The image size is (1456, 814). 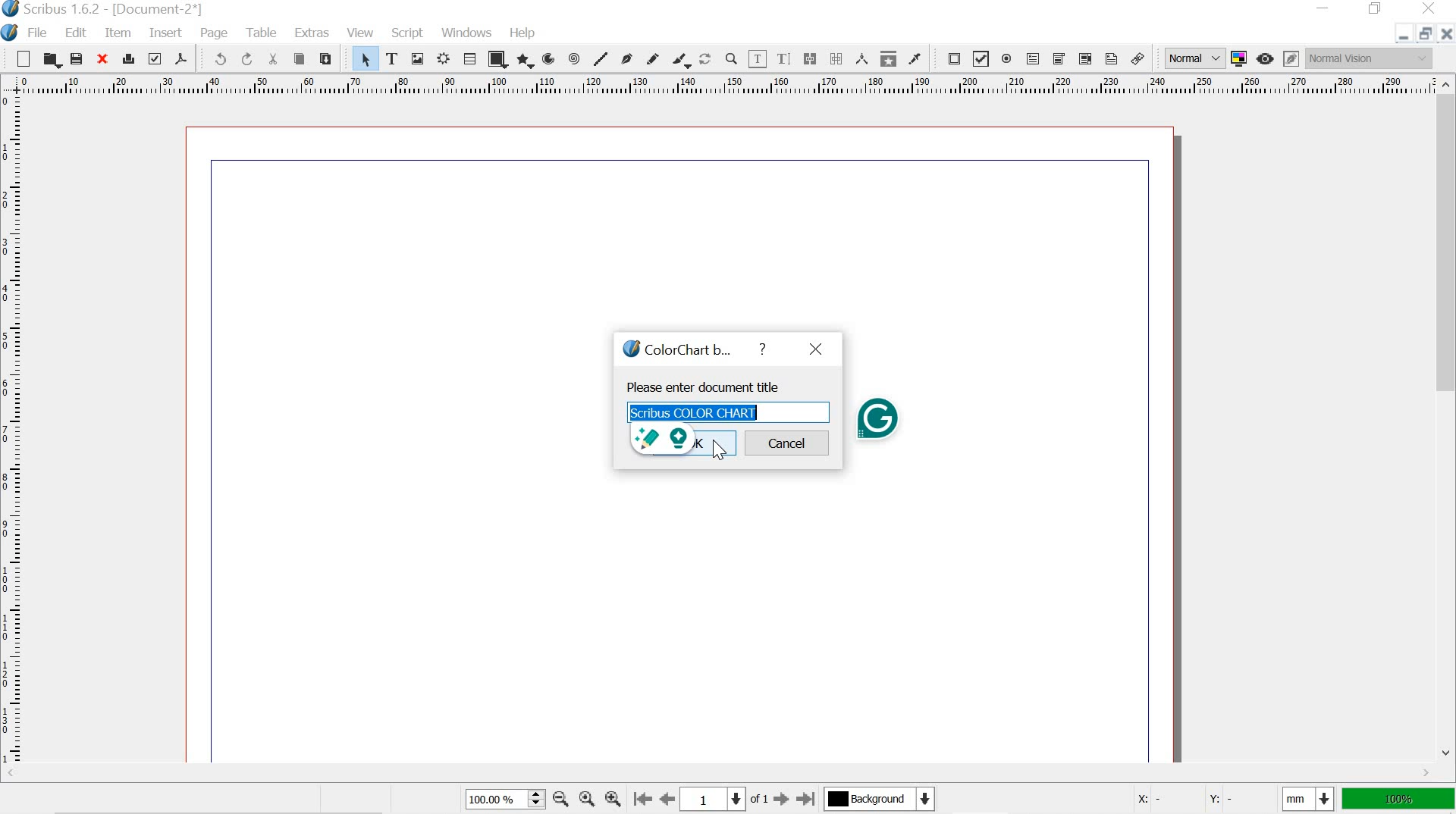 What do you see at coordinates (502, 798) in the screenshot?
I see `100%` at bounding box center [502, 798].